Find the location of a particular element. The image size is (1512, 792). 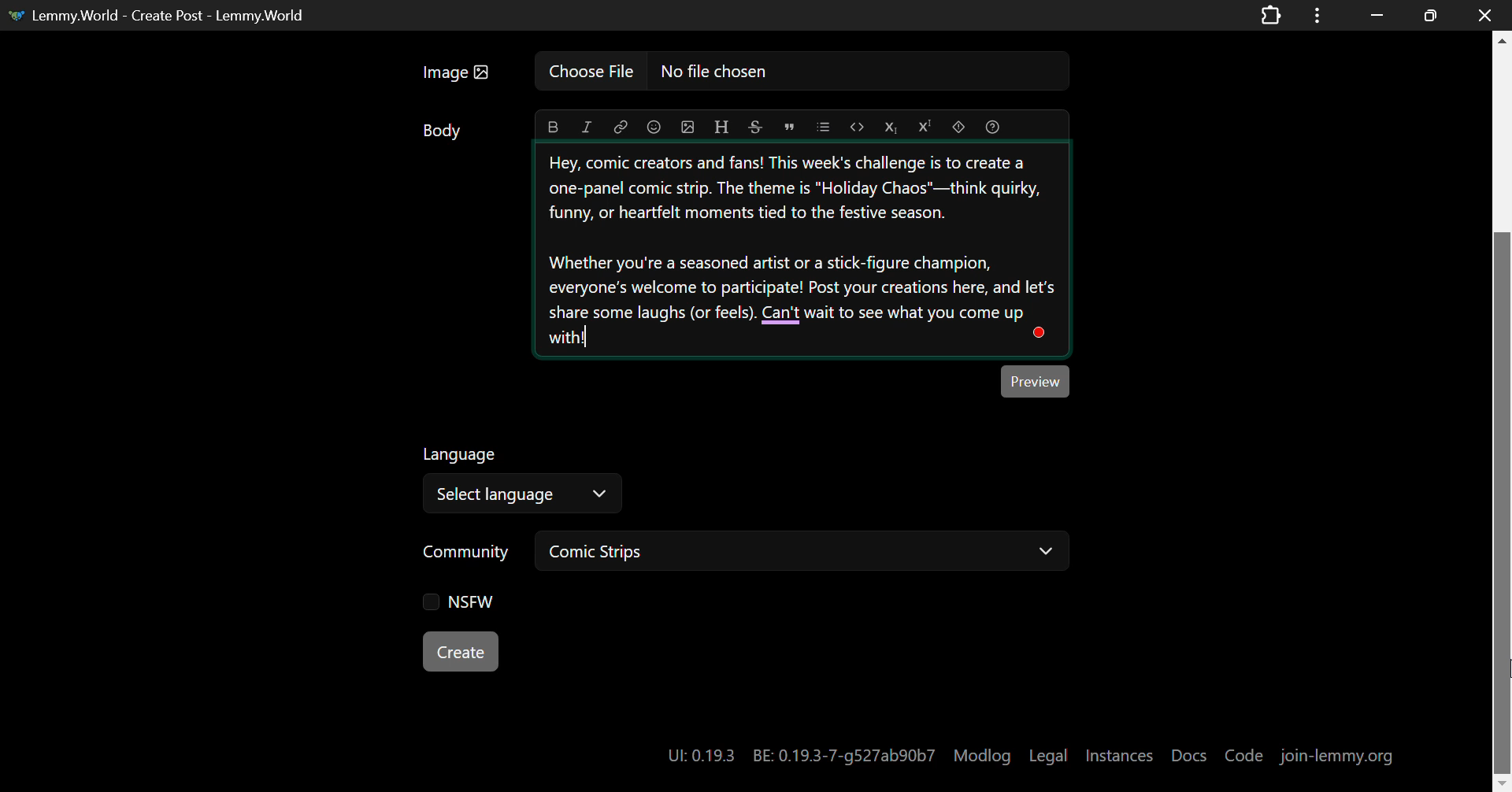

join-lemmy.org is located at coordinates (1339, 755).